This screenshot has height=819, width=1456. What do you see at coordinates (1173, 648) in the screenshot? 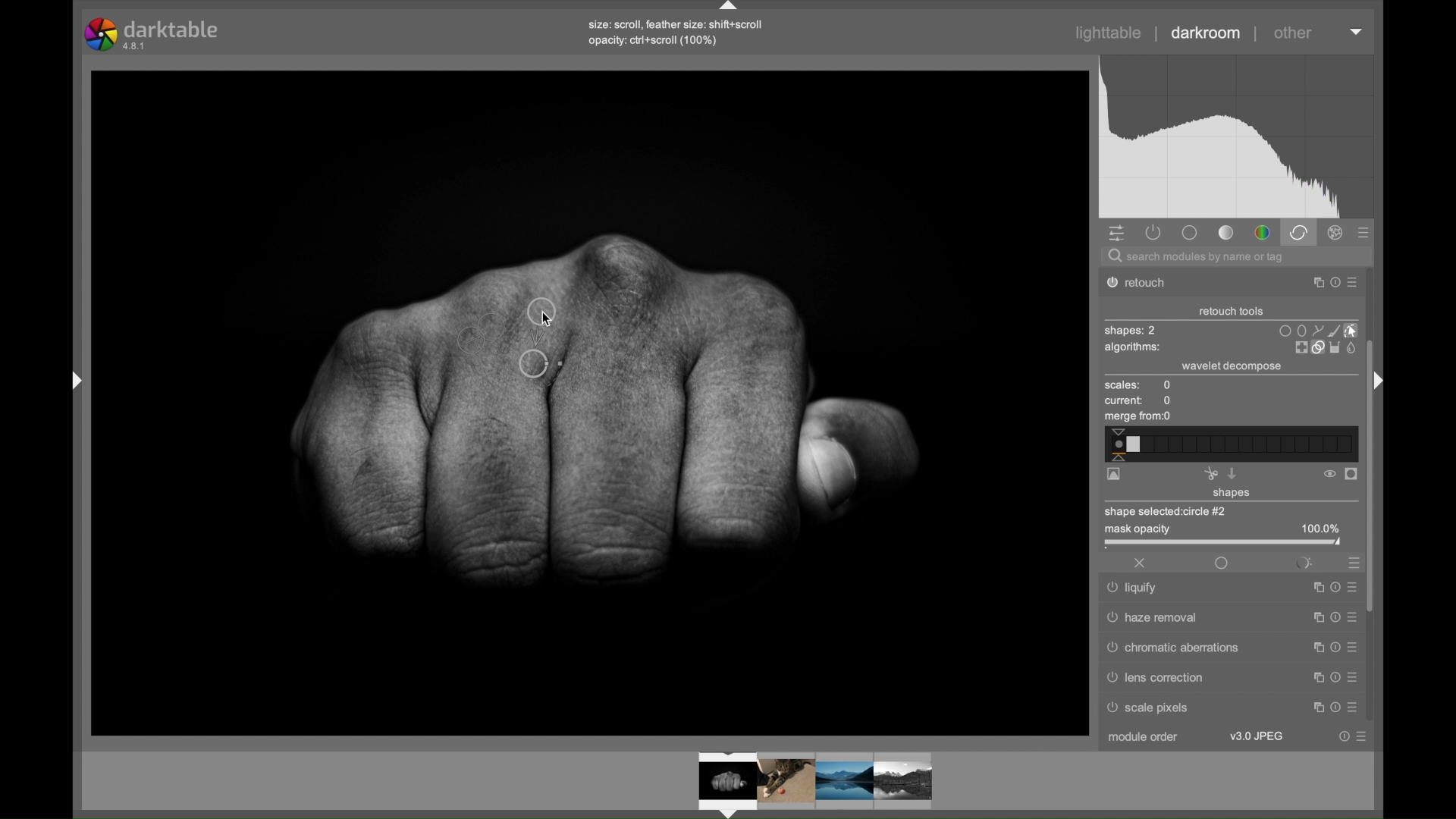
I see `chromatic aberrations` at bounding box center [1173, 648].